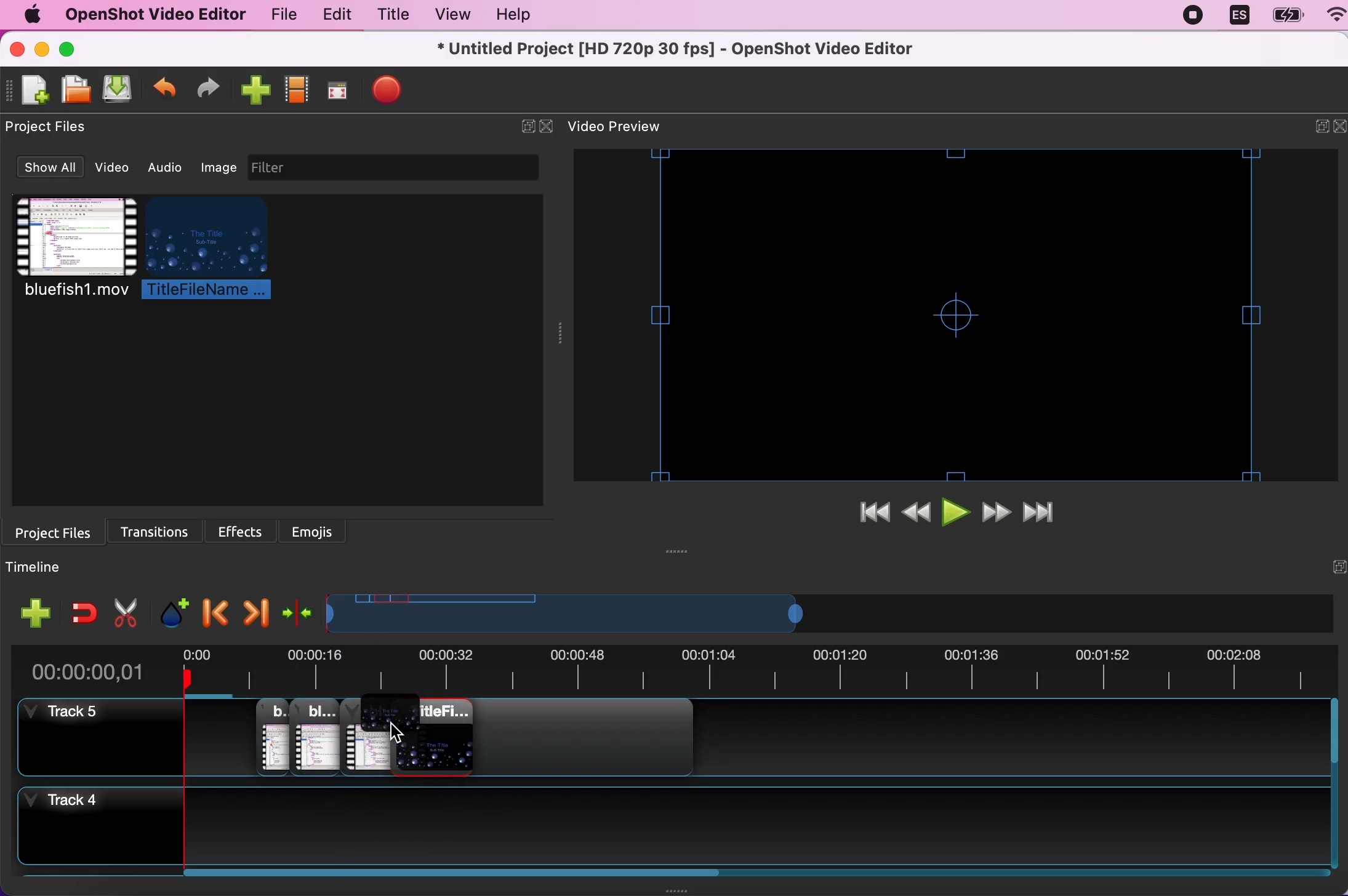  Describe the element at coordinates (93, 736) in the screenshot. I see `track 5` at that location.